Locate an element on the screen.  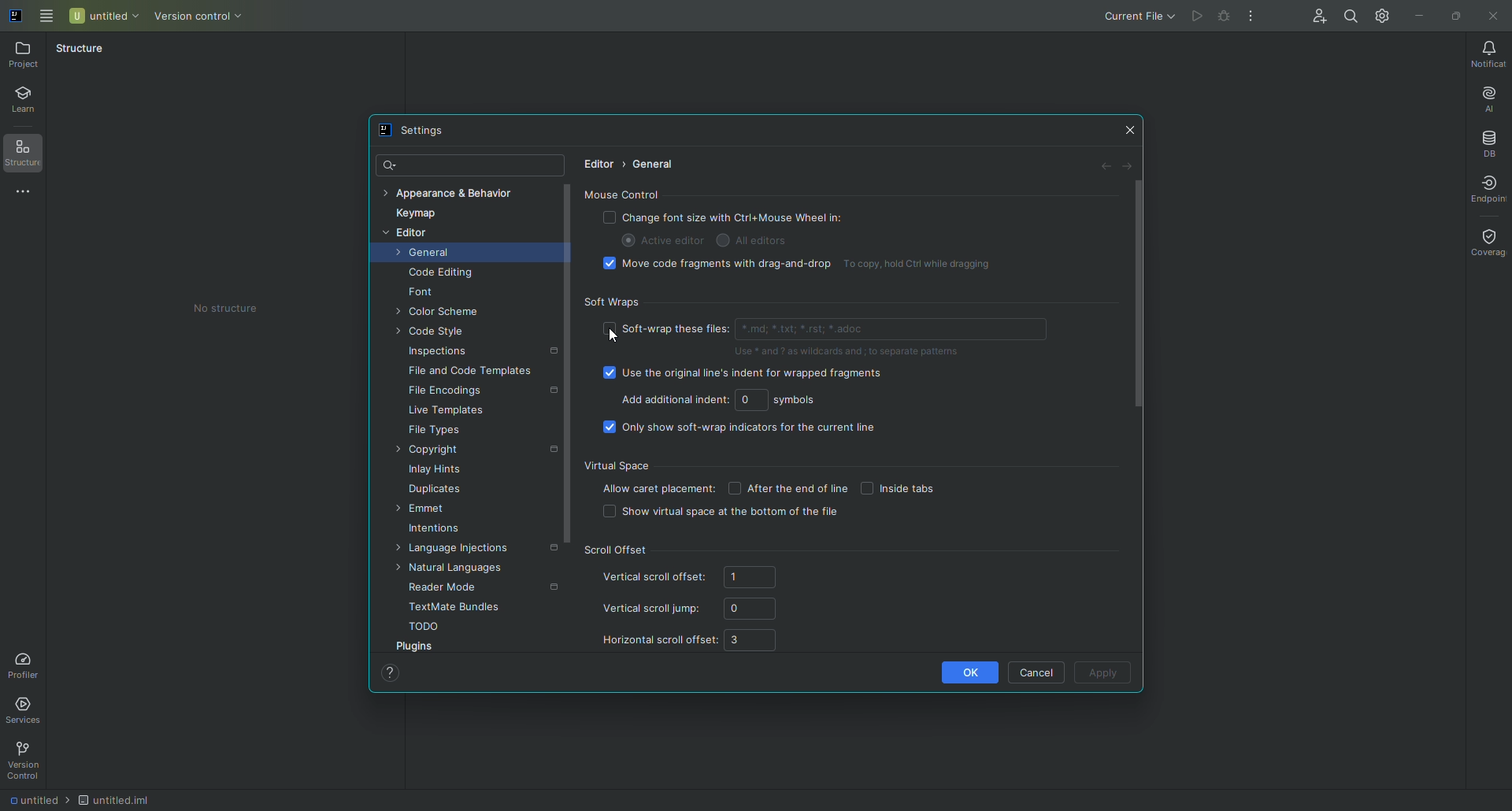
Untitled.iml is located at coordinates (113, 797).